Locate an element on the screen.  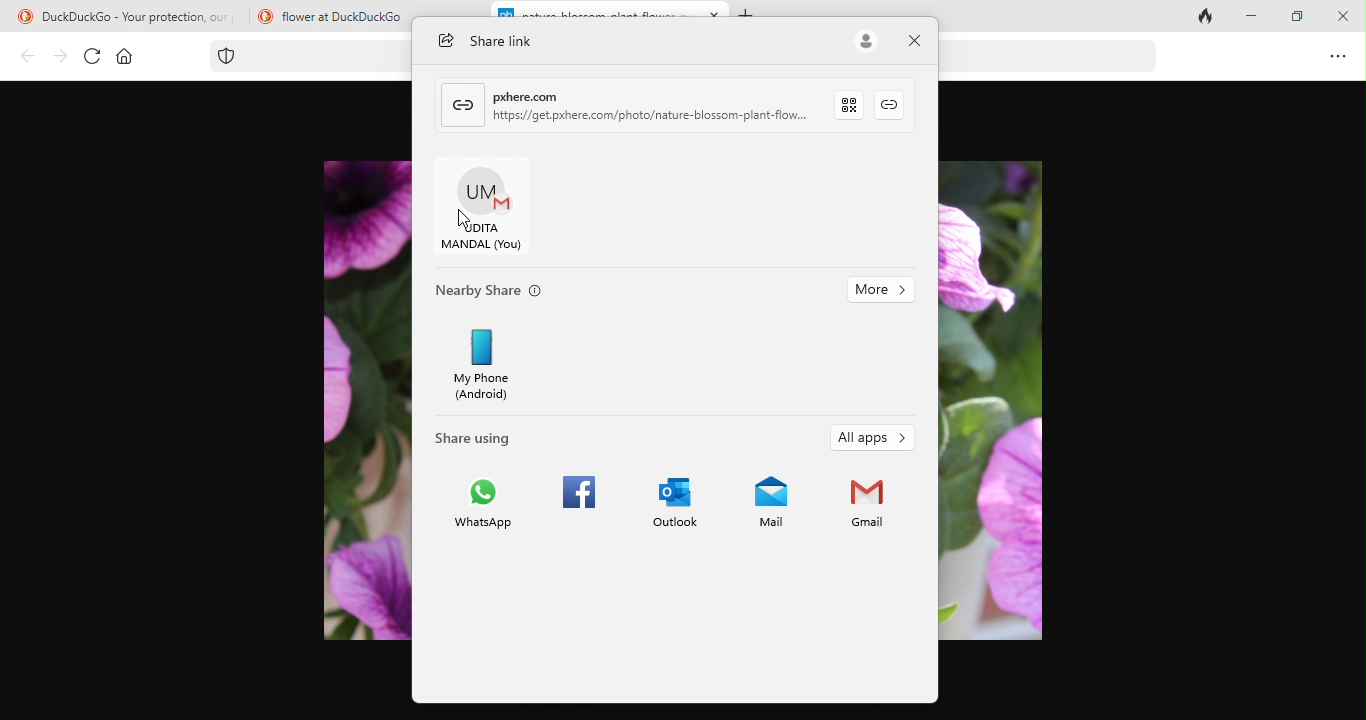
Mail is located at coordinates (769, 510).